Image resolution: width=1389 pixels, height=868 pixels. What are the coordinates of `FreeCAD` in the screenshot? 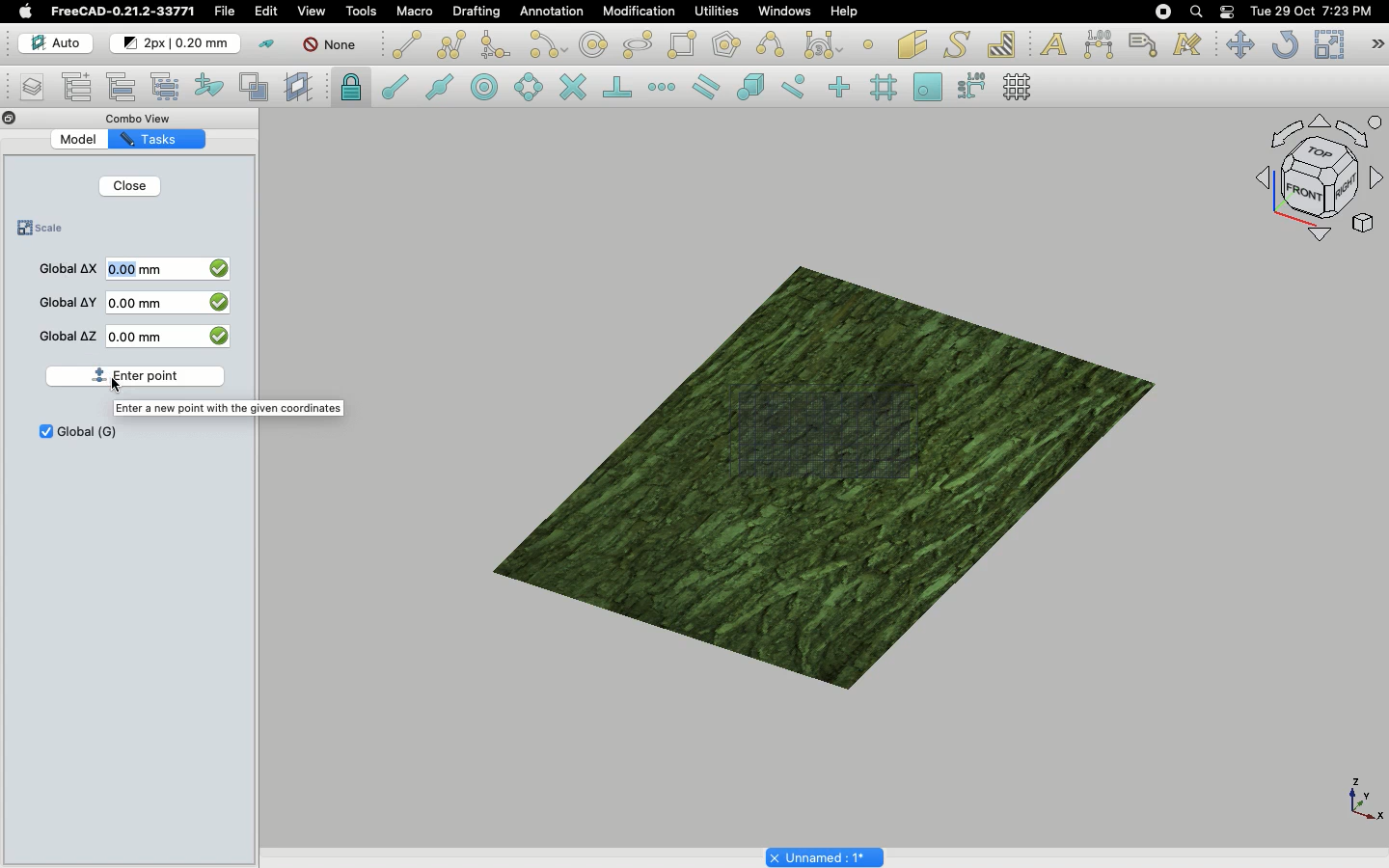 It's located at (122, 12).